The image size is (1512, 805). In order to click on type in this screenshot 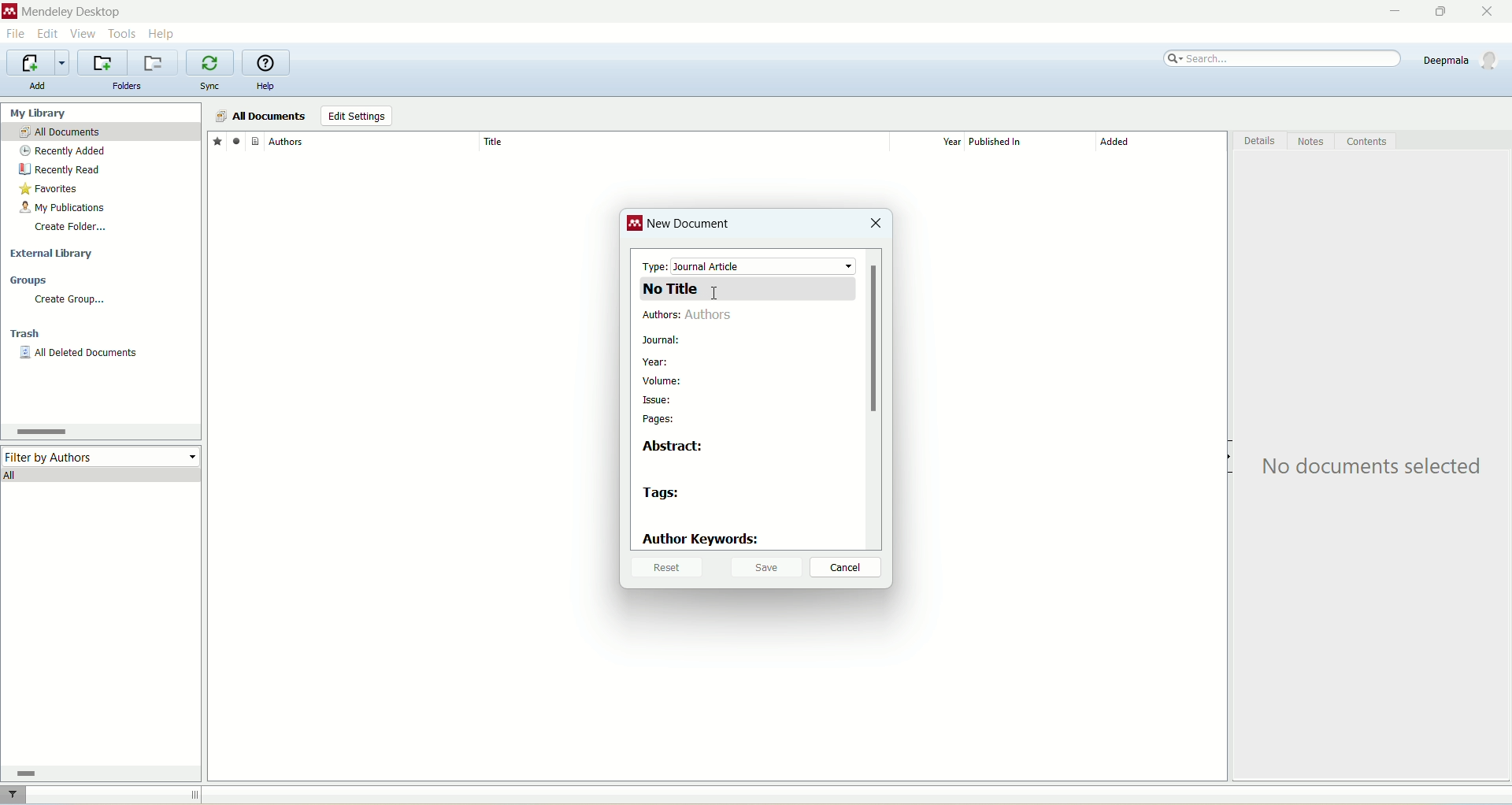, I will do `click(750, 265)`.